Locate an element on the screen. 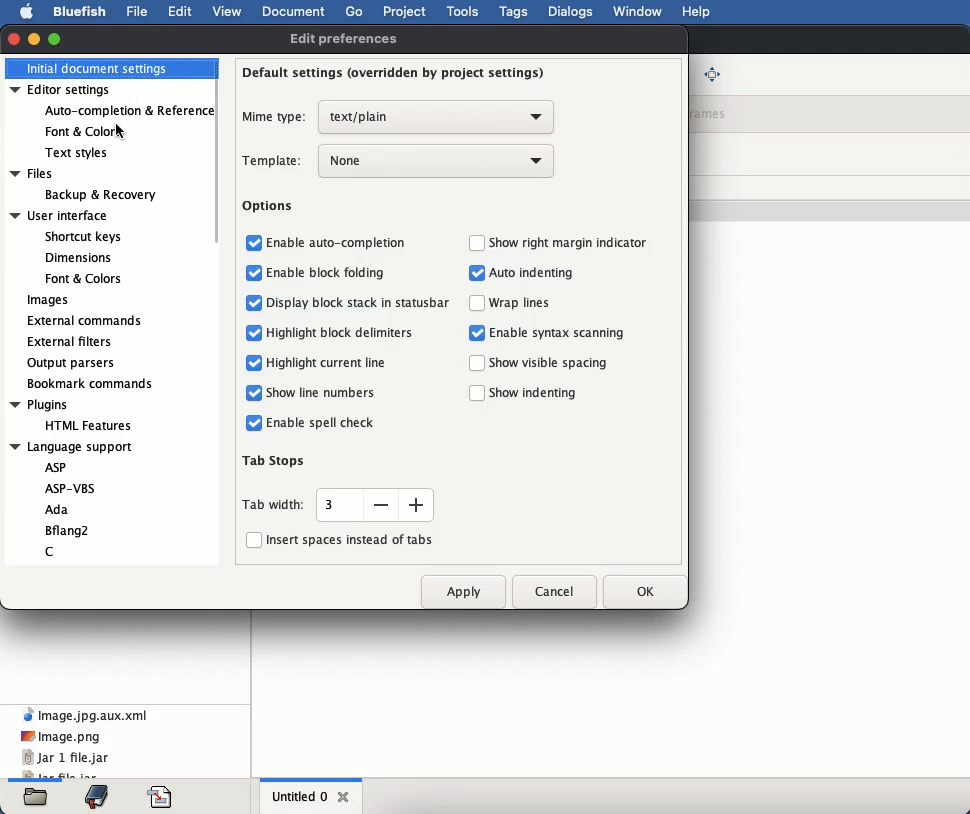  cancel is located at coordinates (556, 592).